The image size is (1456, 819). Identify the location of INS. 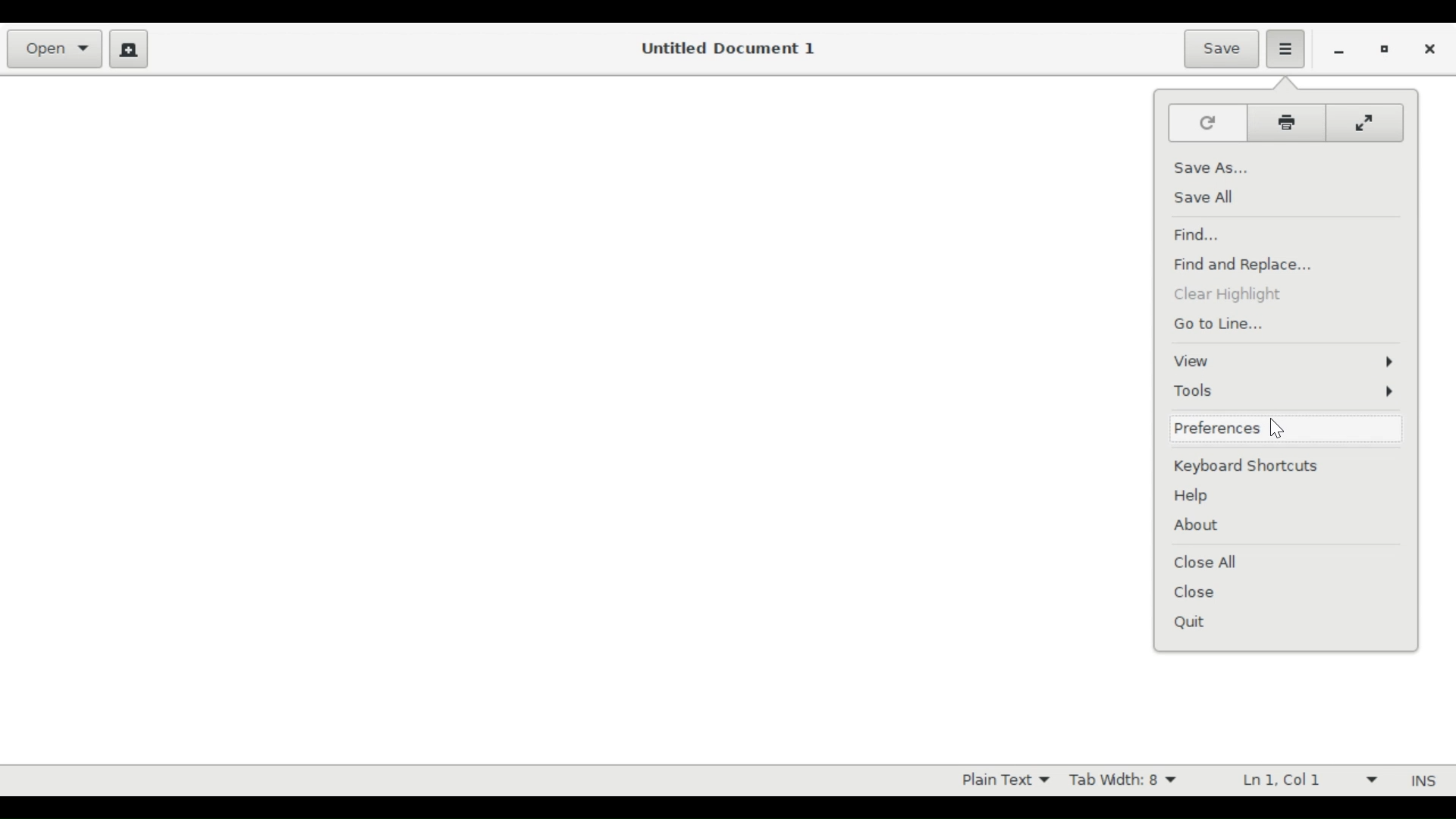
(1422, 781).